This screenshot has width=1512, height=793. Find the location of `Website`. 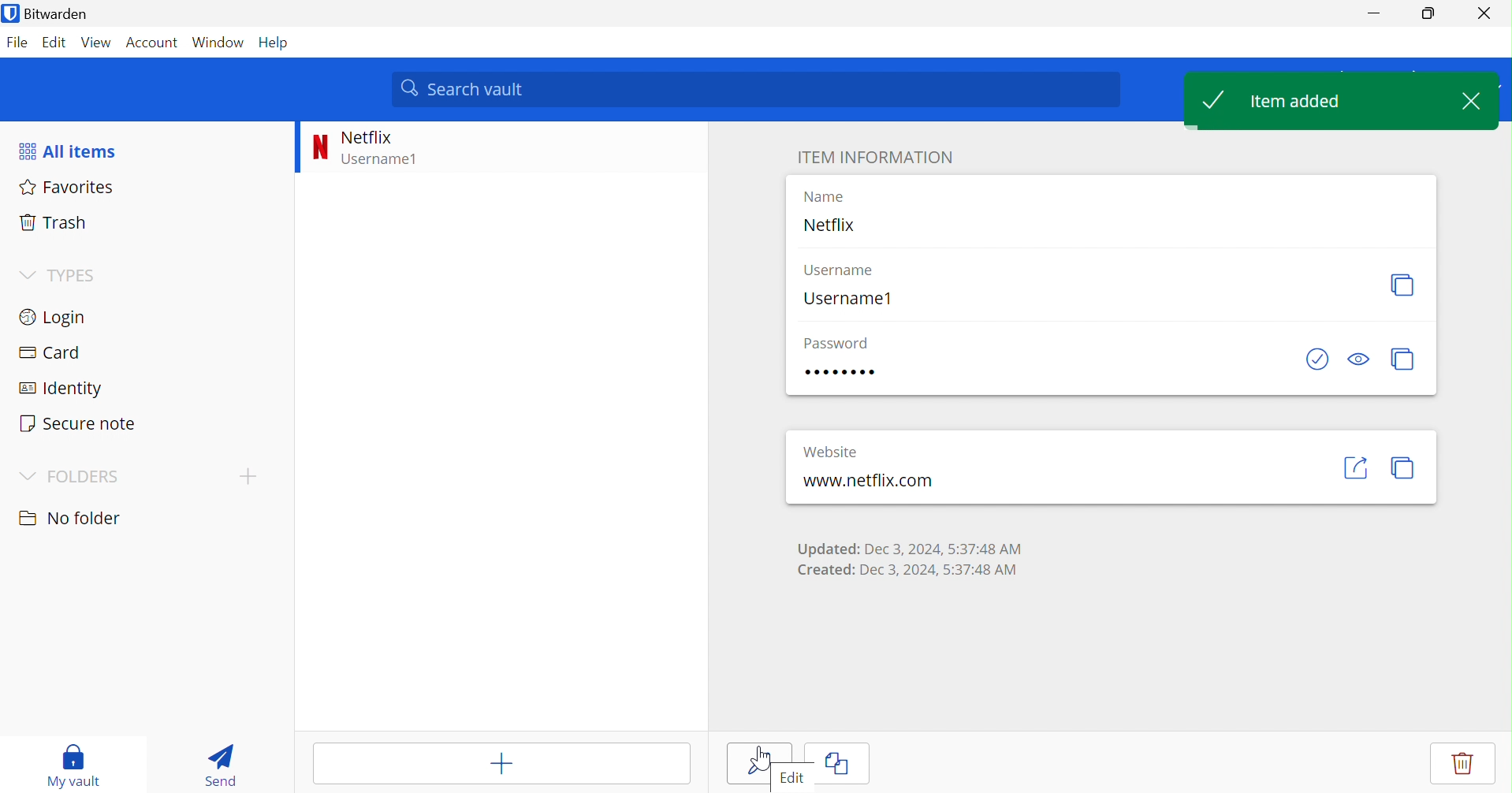

Website is located at coordinates (831, 451).